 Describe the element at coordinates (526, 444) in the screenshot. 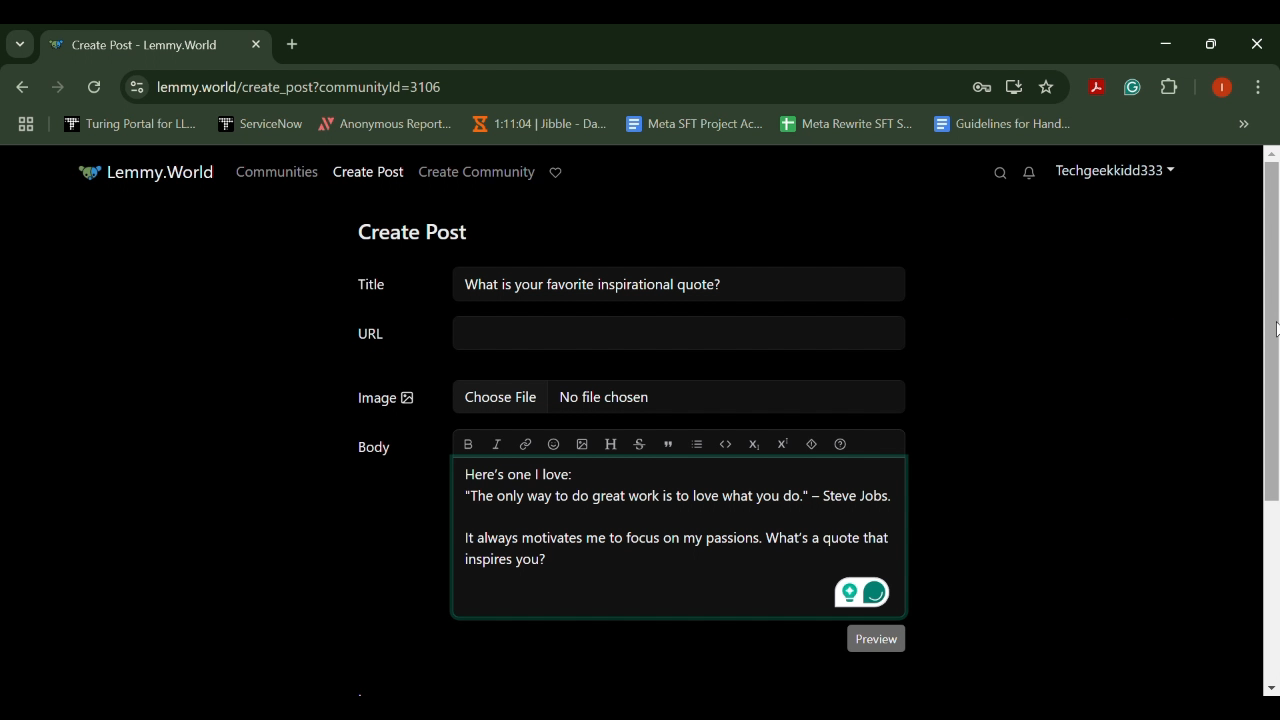

I see `link` at that location.